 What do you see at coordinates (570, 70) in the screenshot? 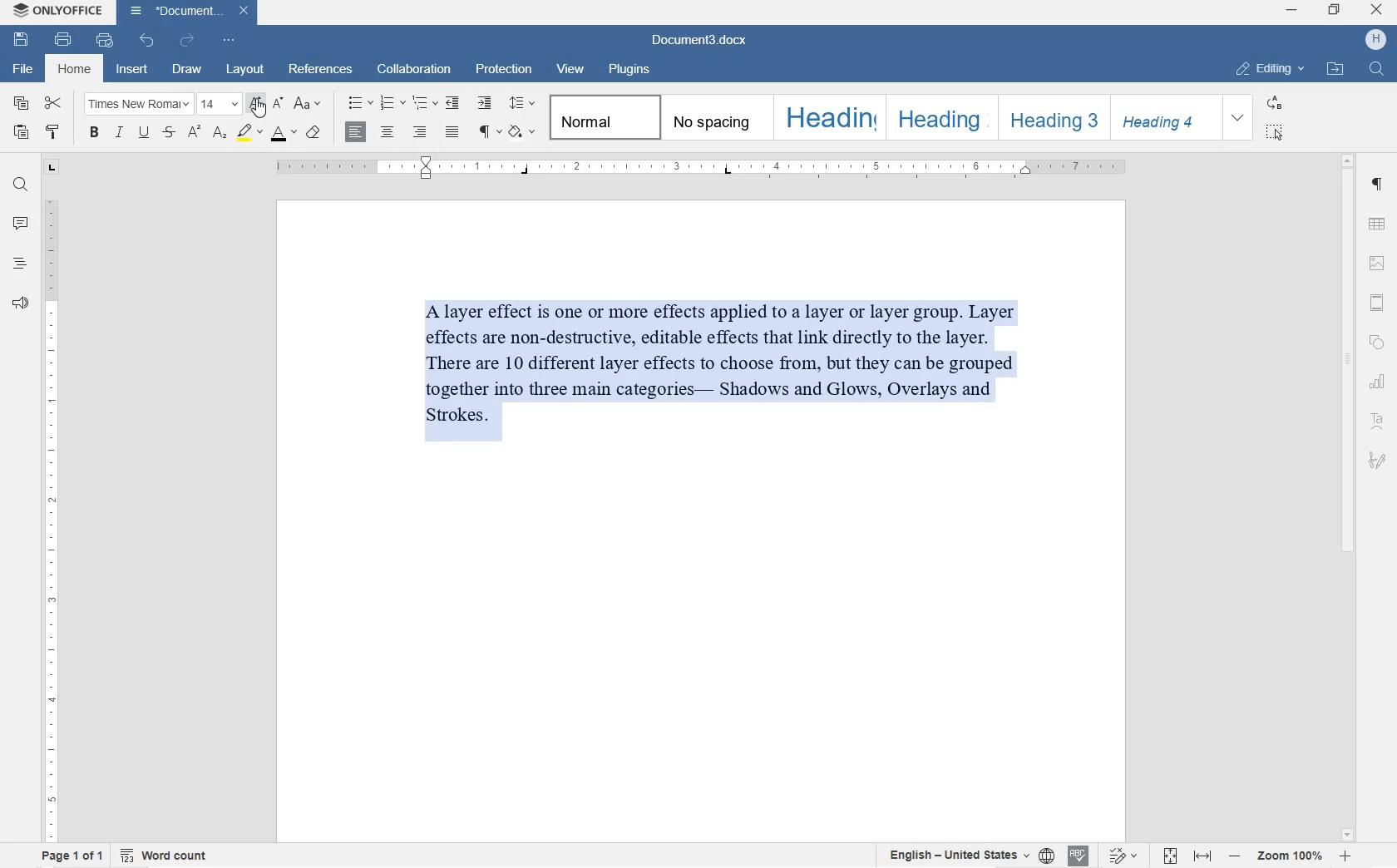
I see `view` at bounding box center [570, 70].